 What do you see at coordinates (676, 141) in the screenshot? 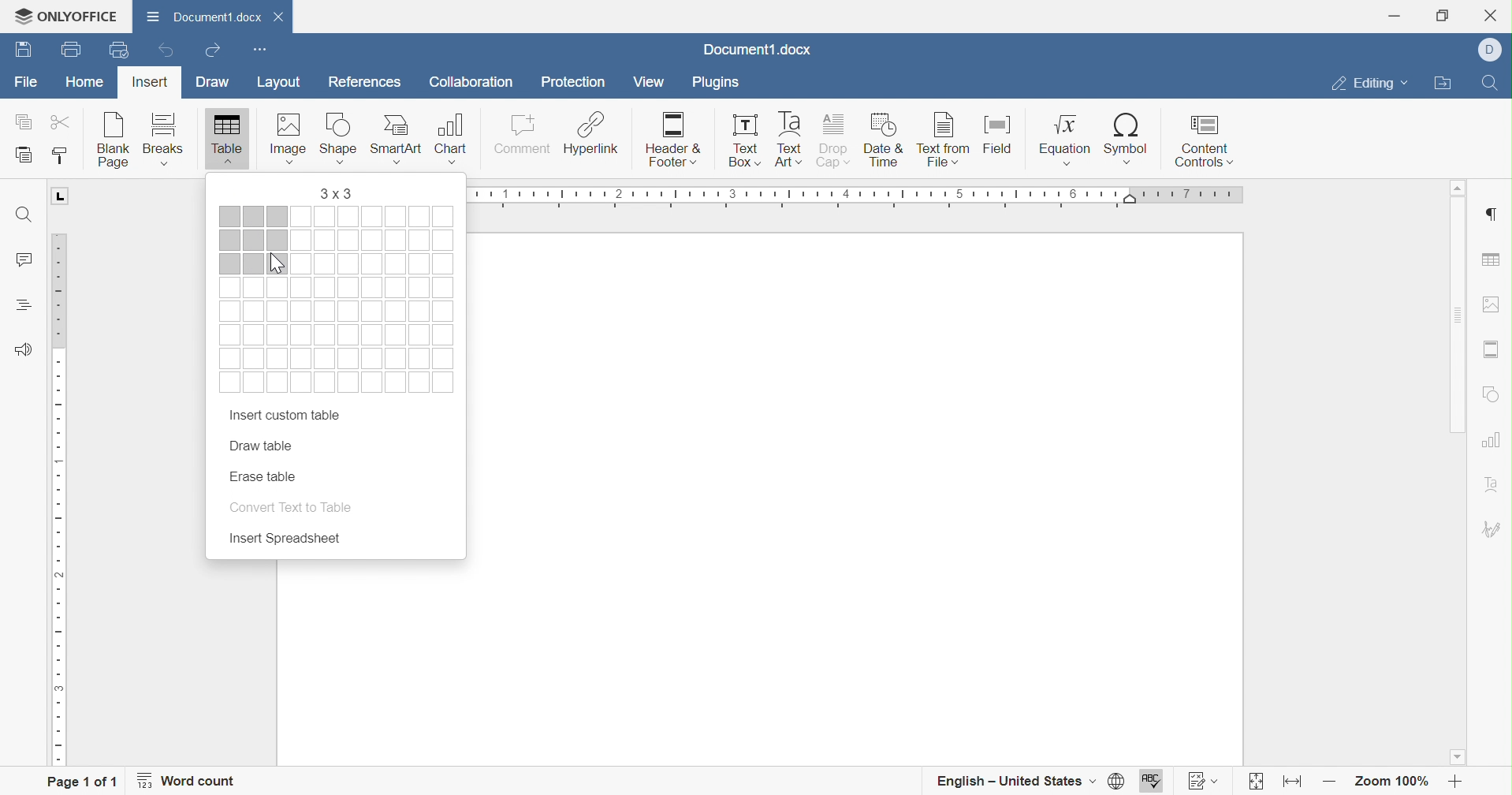
I see `Header & Footer` at bounding box center [676, 141].